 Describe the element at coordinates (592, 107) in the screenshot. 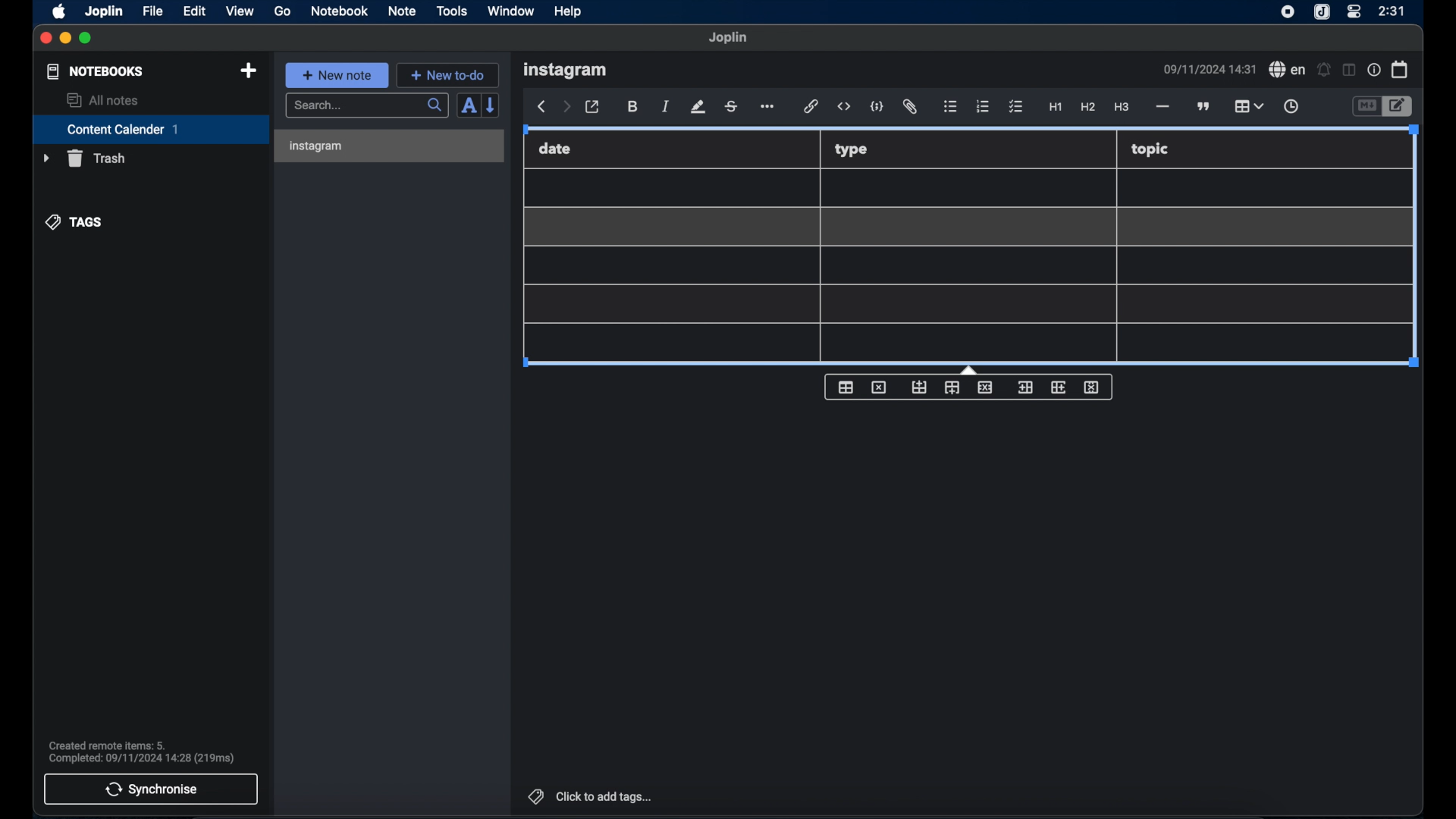

I see `toggle external editor` at that location.